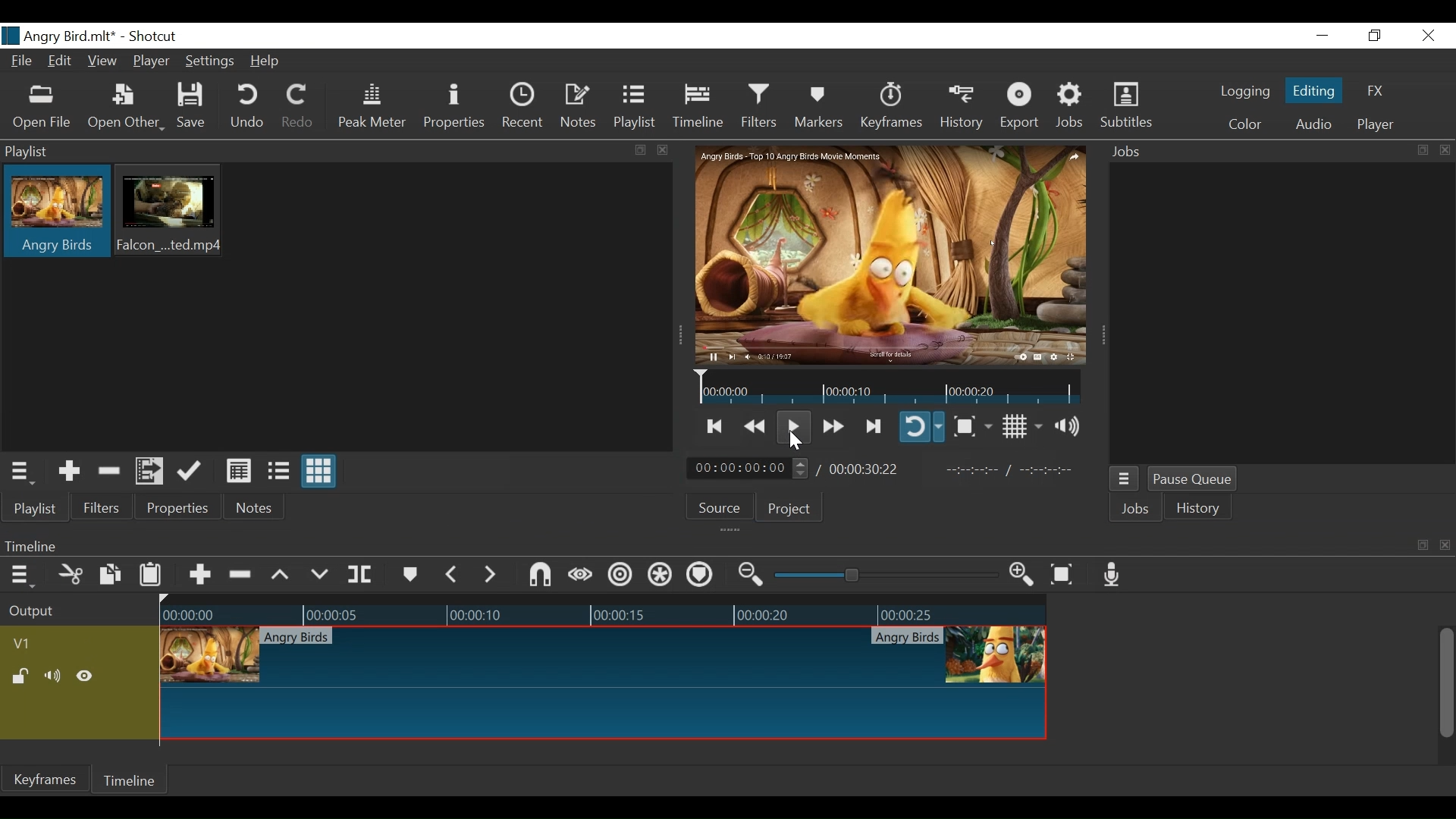 Image resolution: width=1456 pixels, height=819 pixels. Describe the element at coordinates (1323, 36) in the screenshot. I see `Minimize` at that location.